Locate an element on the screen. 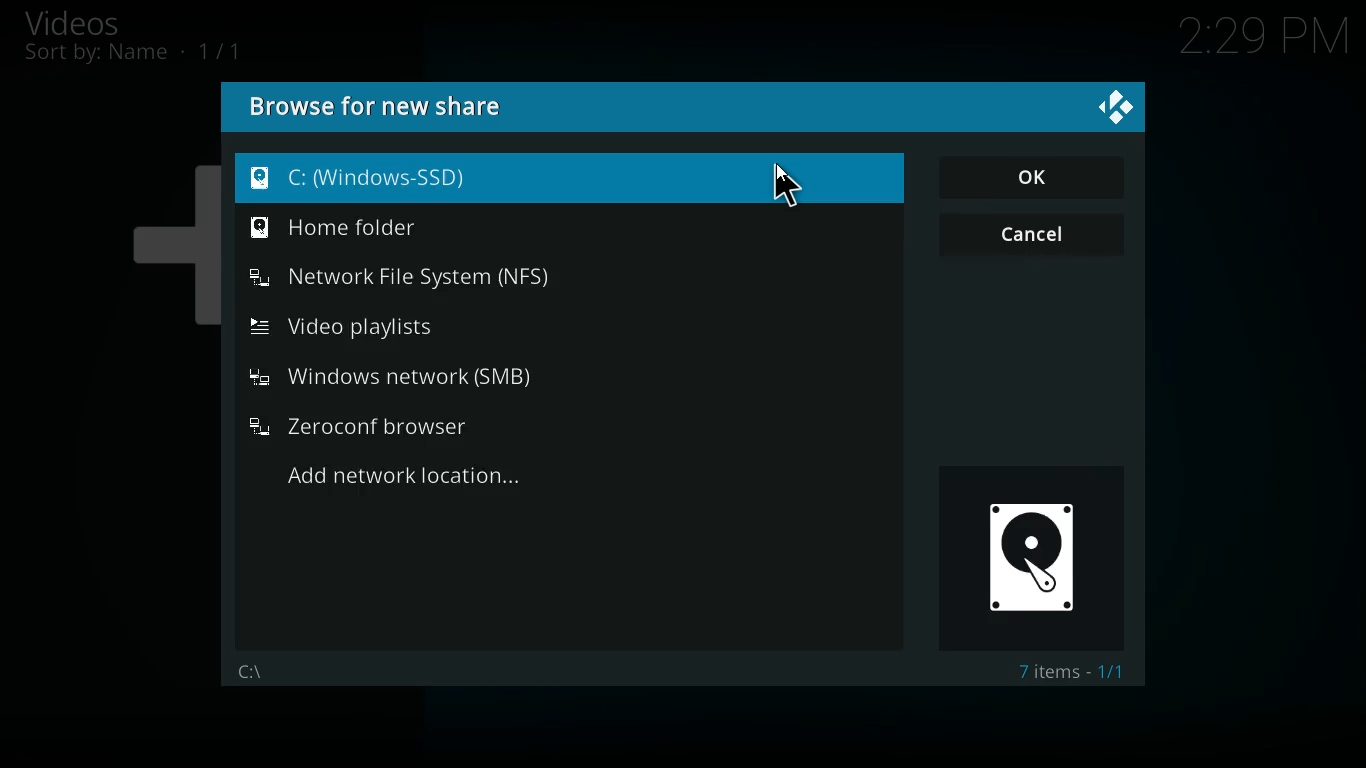 This screenshot has width=1366, height=768. video playlist is located at coordinates (388, 325).